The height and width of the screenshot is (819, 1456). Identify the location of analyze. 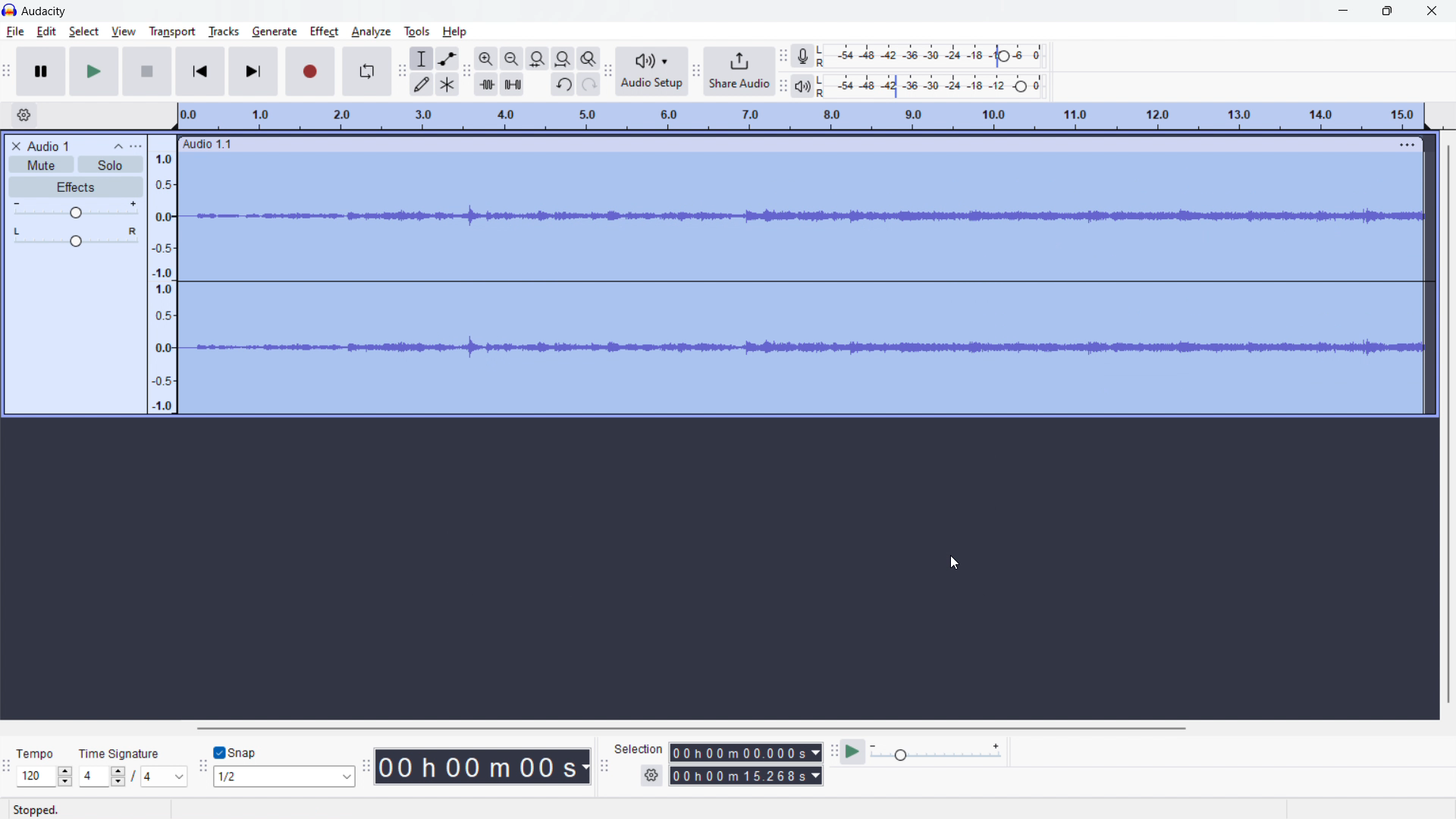
(370, 33).